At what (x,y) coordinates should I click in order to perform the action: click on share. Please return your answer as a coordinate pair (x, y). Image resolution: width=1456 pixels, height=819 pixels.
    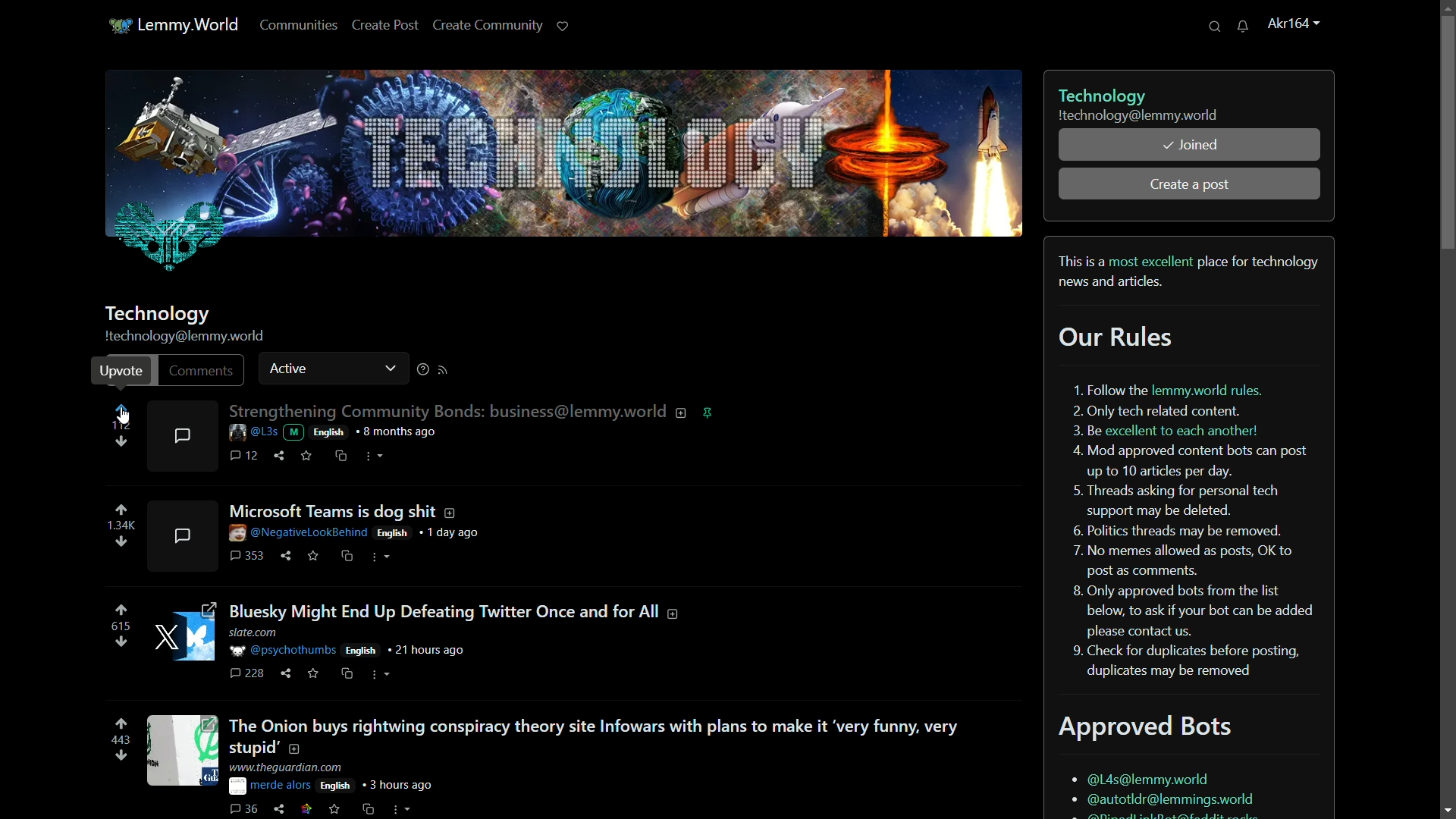
    Looking at the image, I should click on (288, 556).